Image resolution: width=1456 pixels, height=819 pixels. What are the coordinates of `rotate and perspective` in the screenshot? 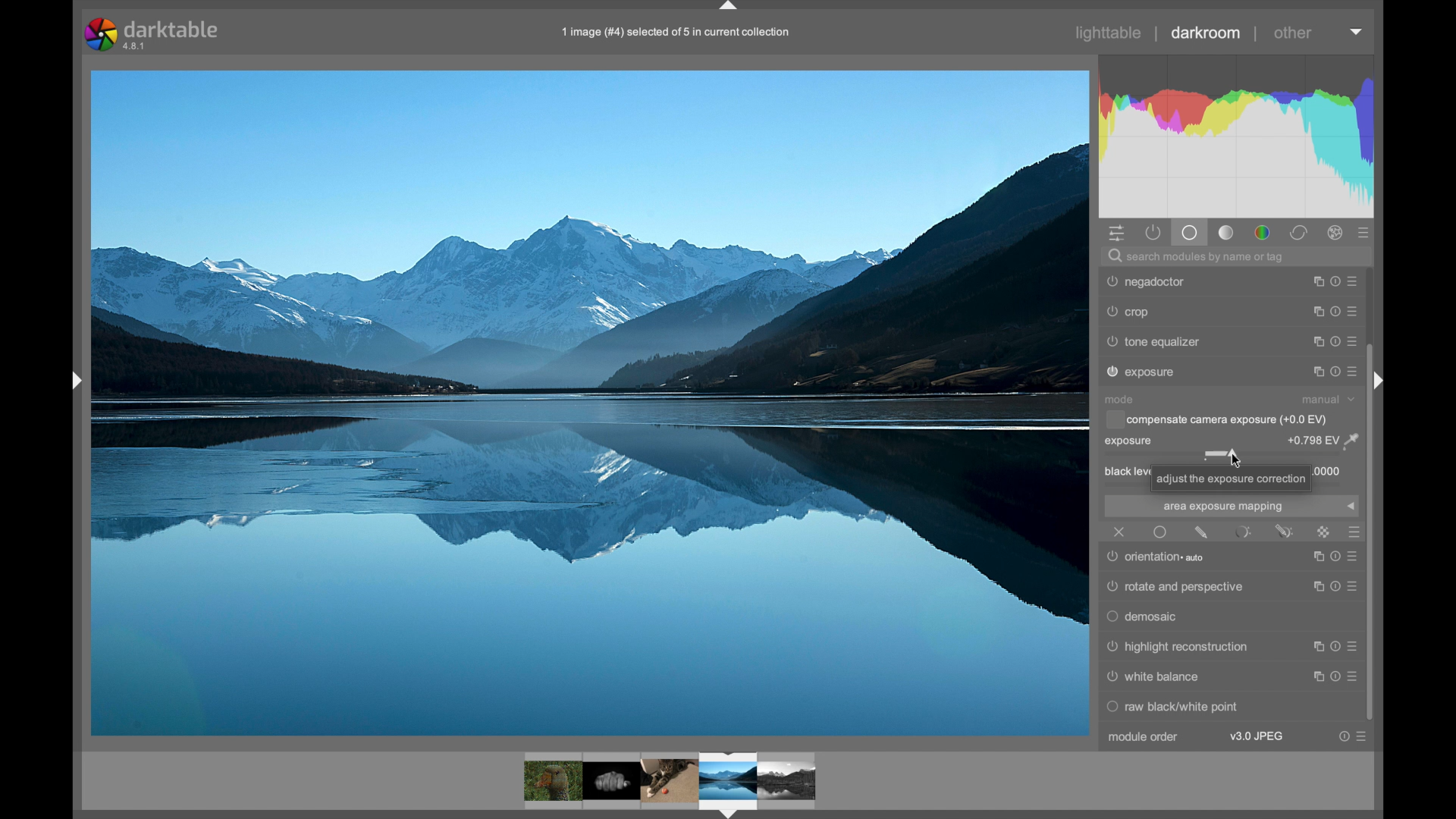 It's located at (1178, 587).